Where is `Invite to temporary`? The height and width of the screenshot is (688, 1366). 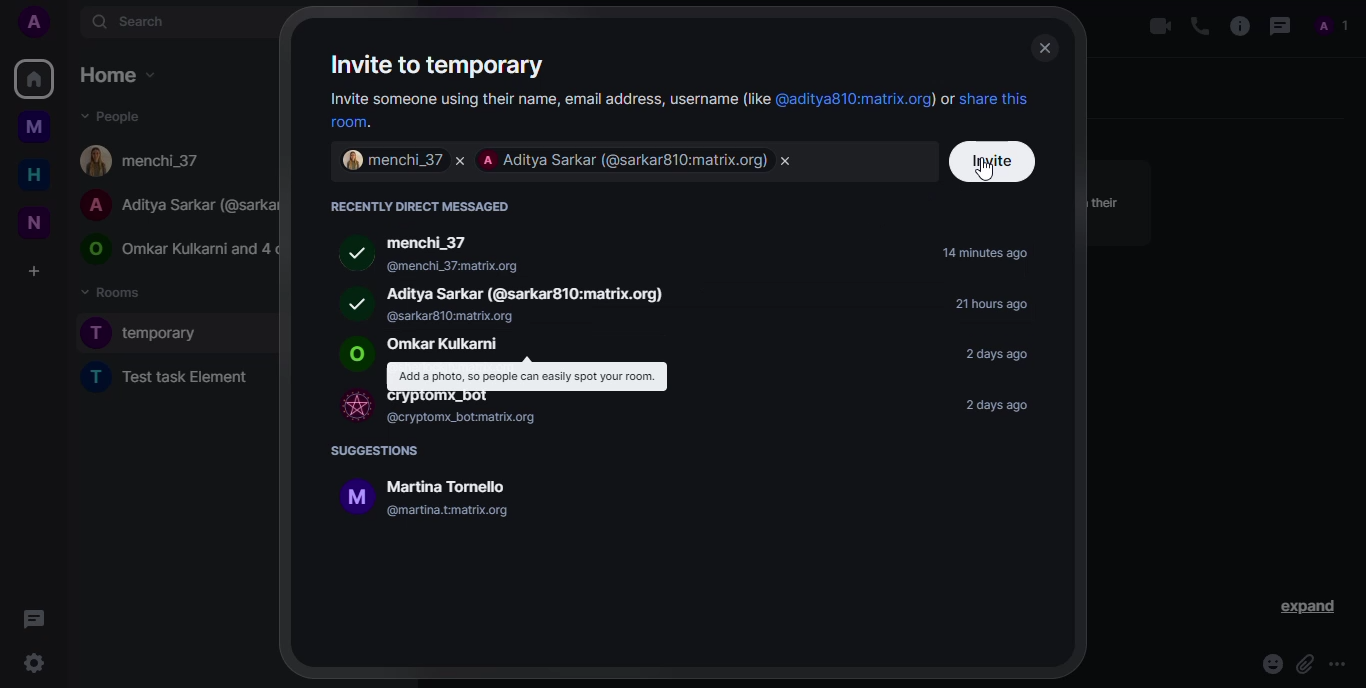 Invite to temporary is located at coordinates (455, 65).